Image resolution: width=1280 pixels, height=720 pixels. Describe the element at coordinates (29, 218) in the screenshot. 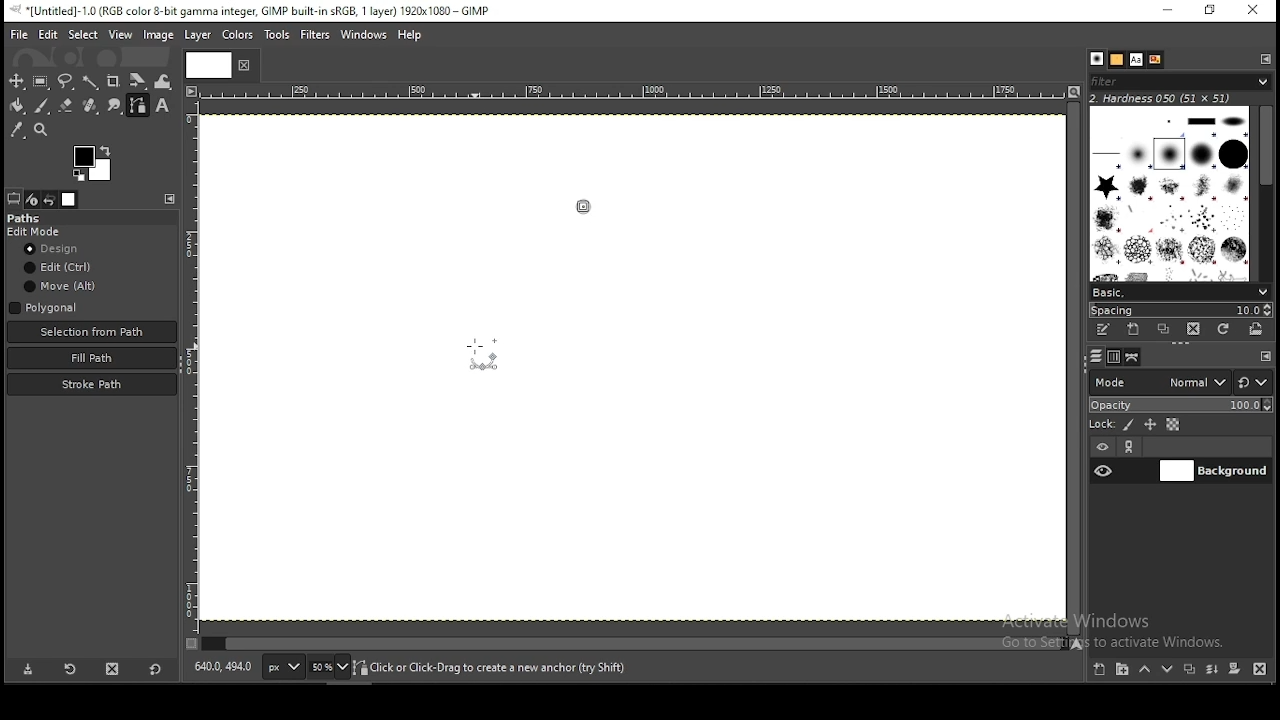

I see `paths` at that location.